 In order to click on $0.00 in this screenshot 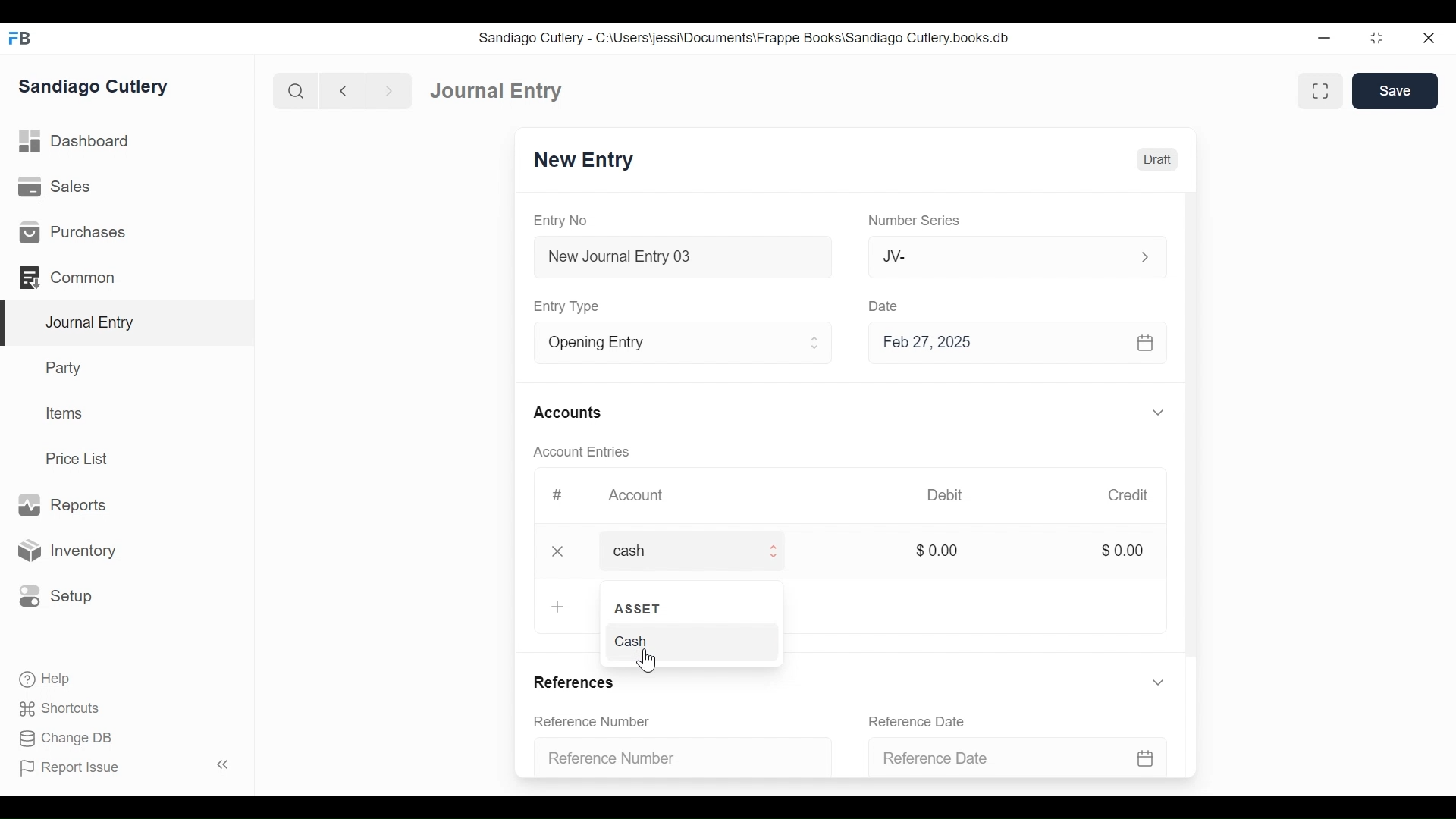, I will do `click(938, 550)`.